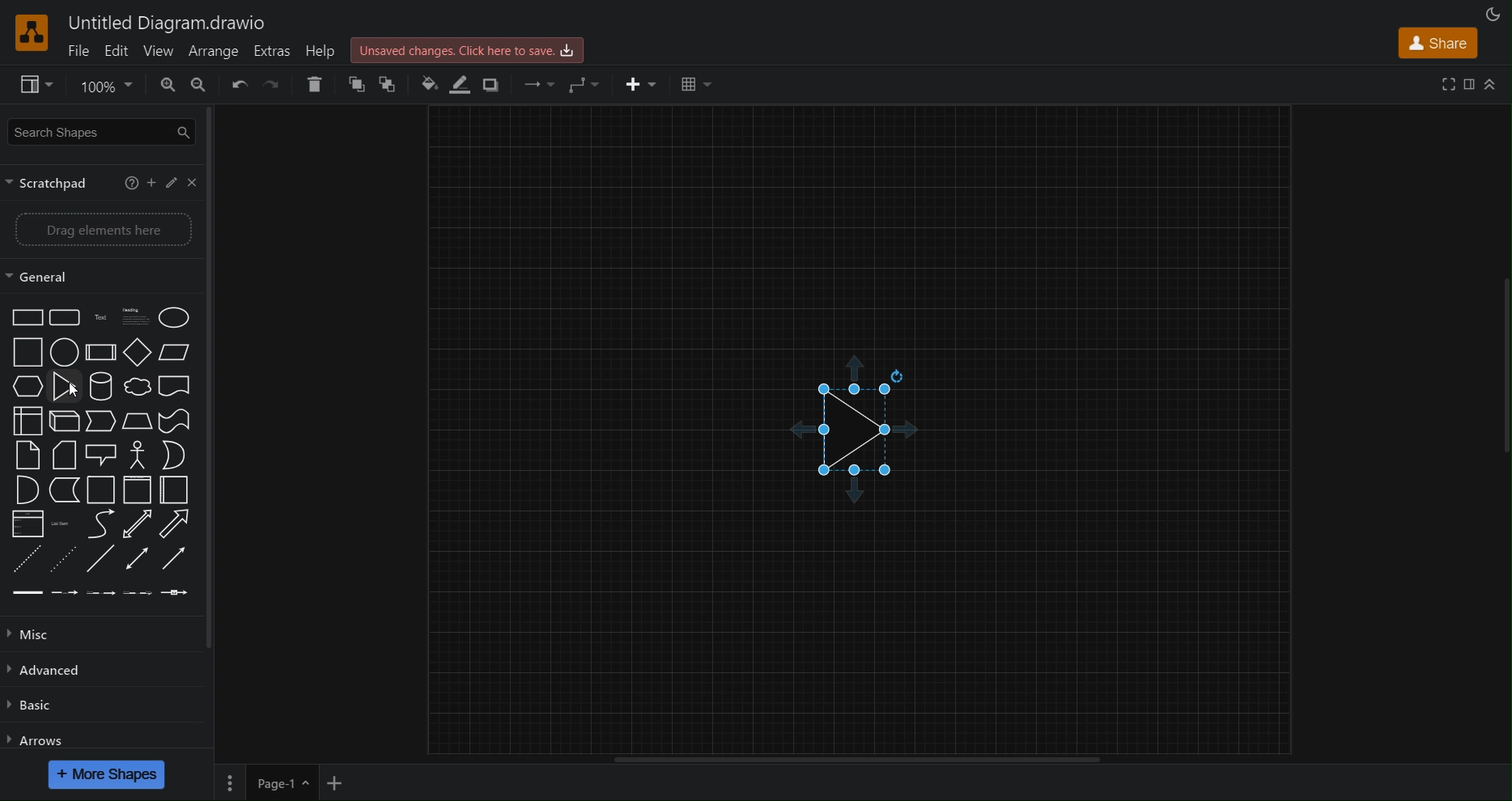 This screenshot has width=1512, height=801. I want to click on General, so click(104, 277).